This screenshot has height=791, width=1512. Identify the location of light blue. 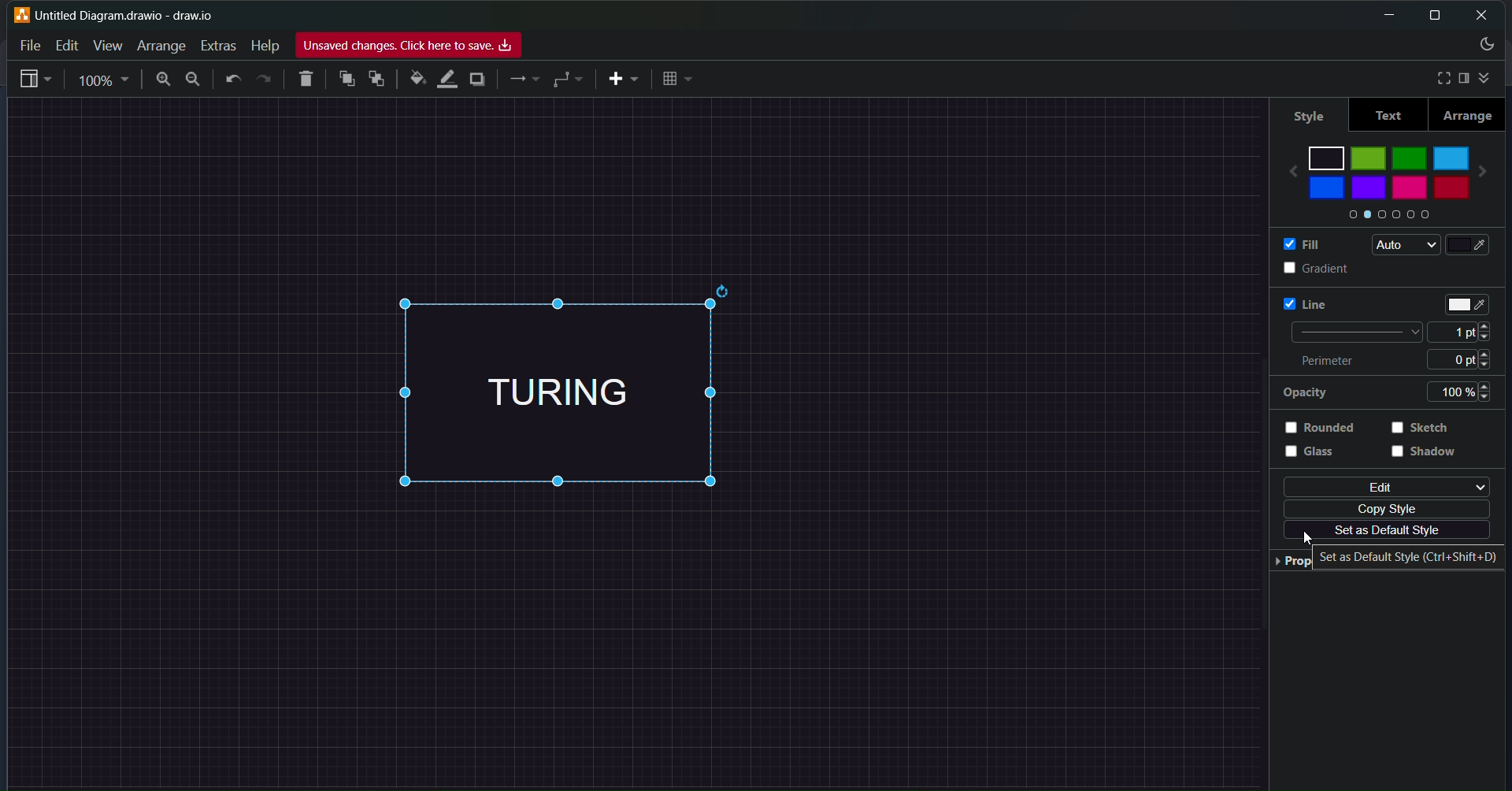
(1452, 155).